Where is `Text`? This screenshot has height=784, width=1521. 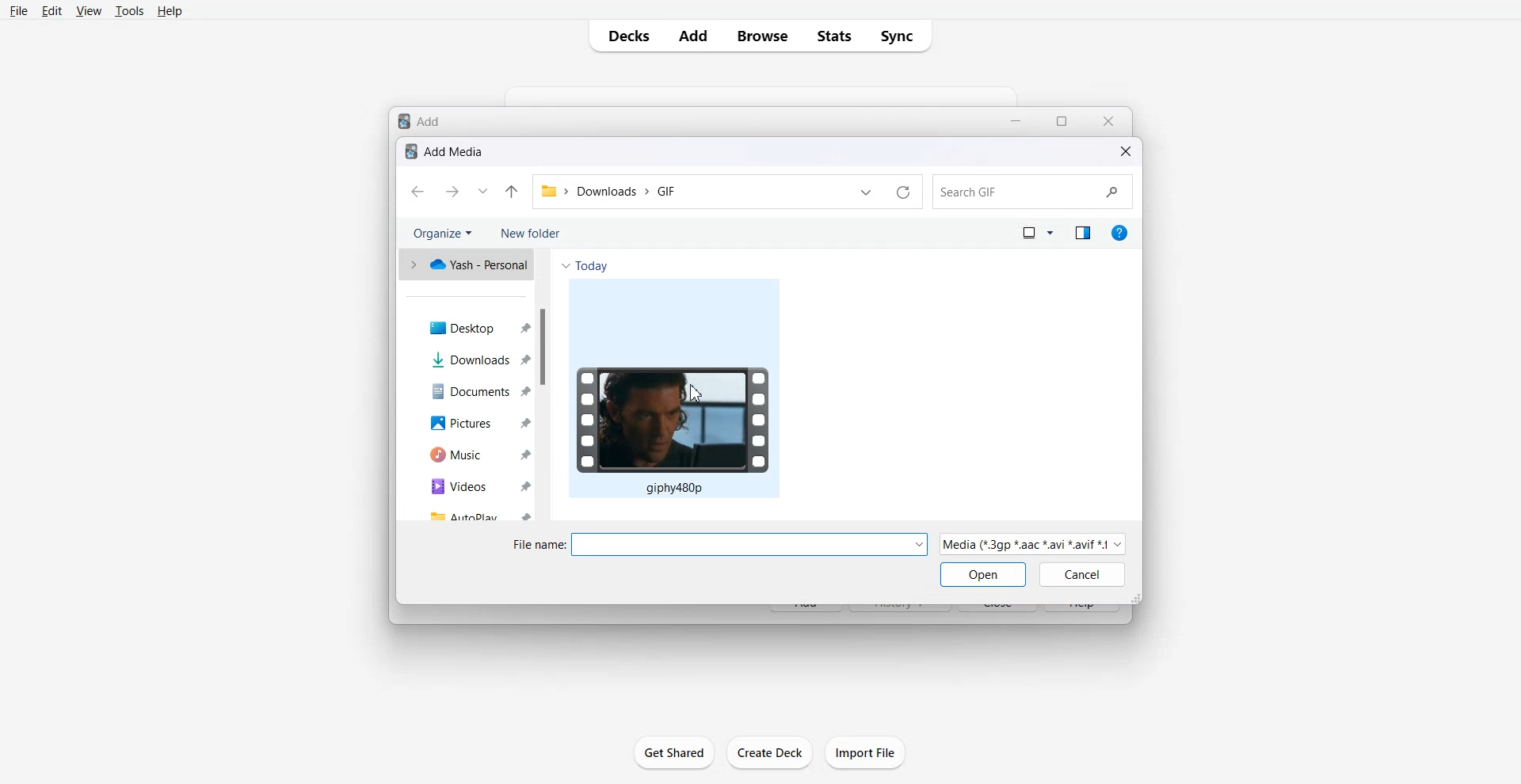
Text is located at coordinates (445, 151).